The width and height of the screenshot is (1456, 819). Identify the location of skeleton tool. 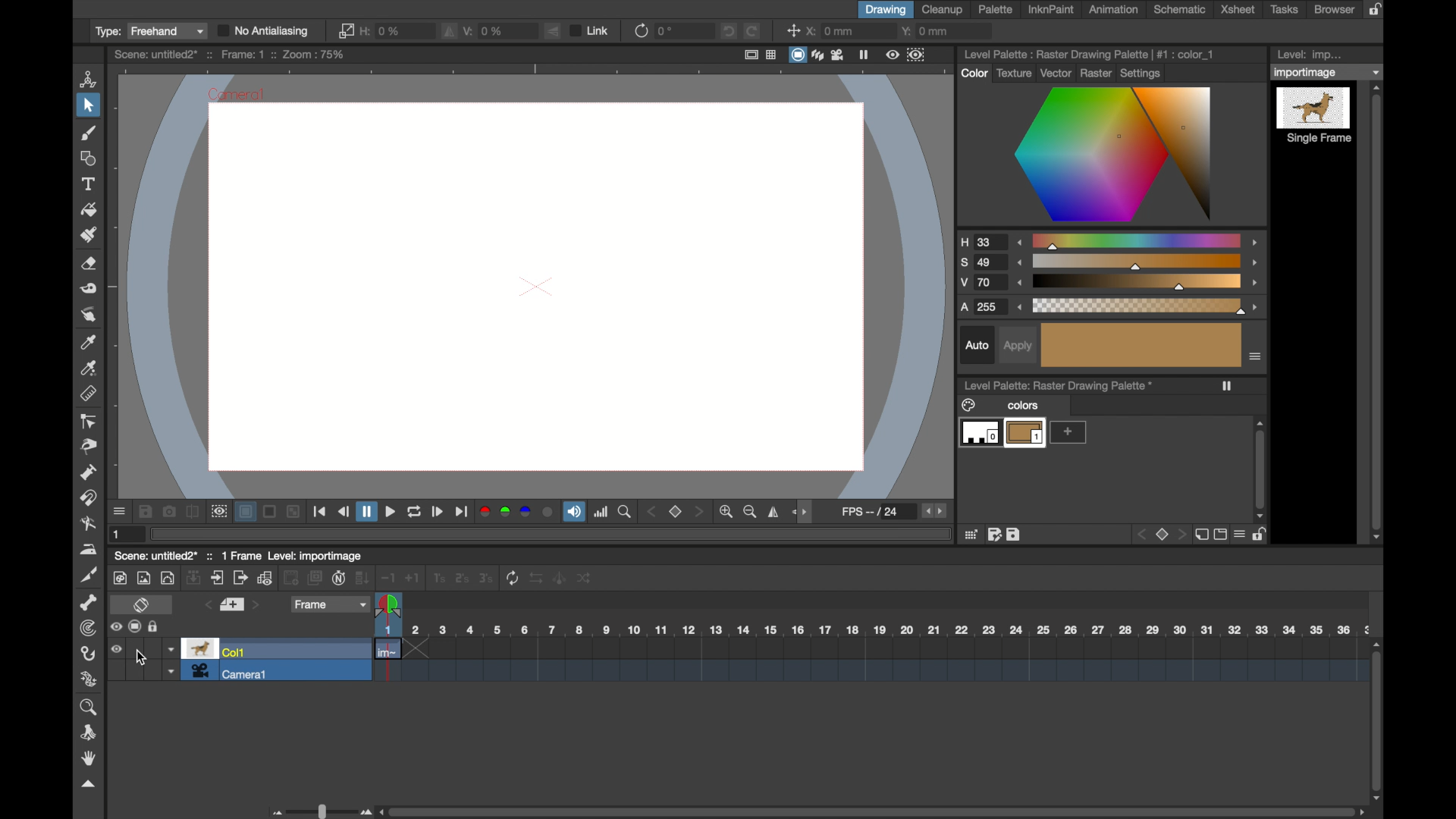
(89, 602).